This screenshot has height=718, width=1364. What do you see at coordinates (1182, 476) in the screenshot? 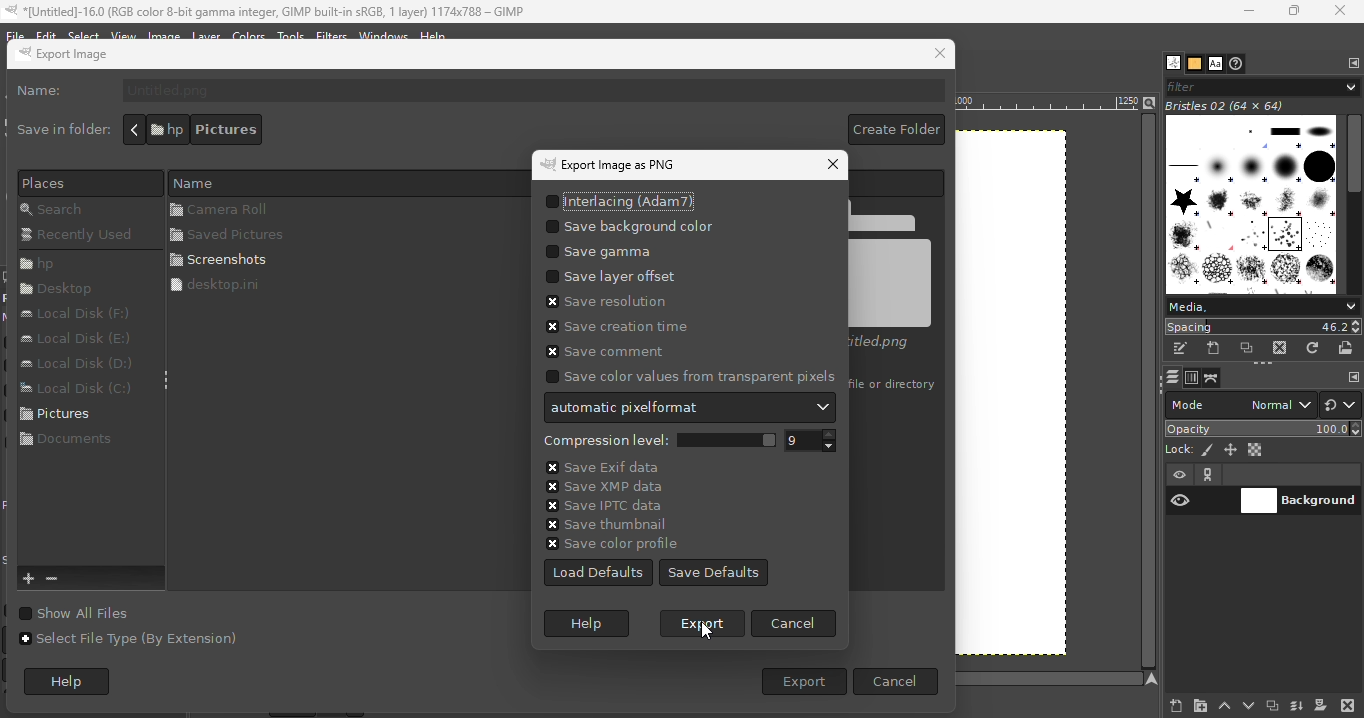
I see `visibility` at bounding box center [1182, 476].